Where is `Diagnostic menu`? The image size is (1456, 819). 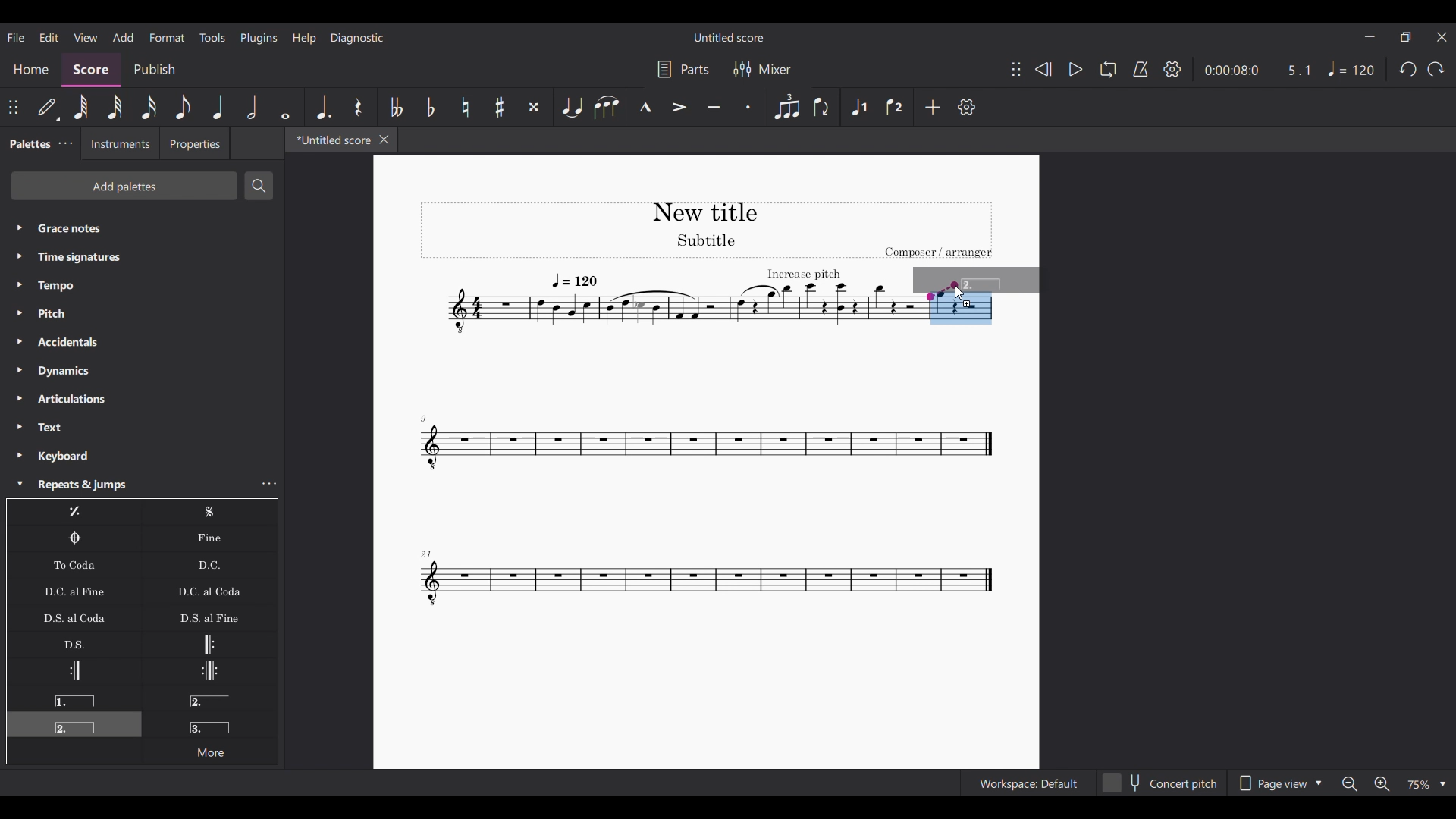
Diagnostic menu is located at coordinates (357, 39).